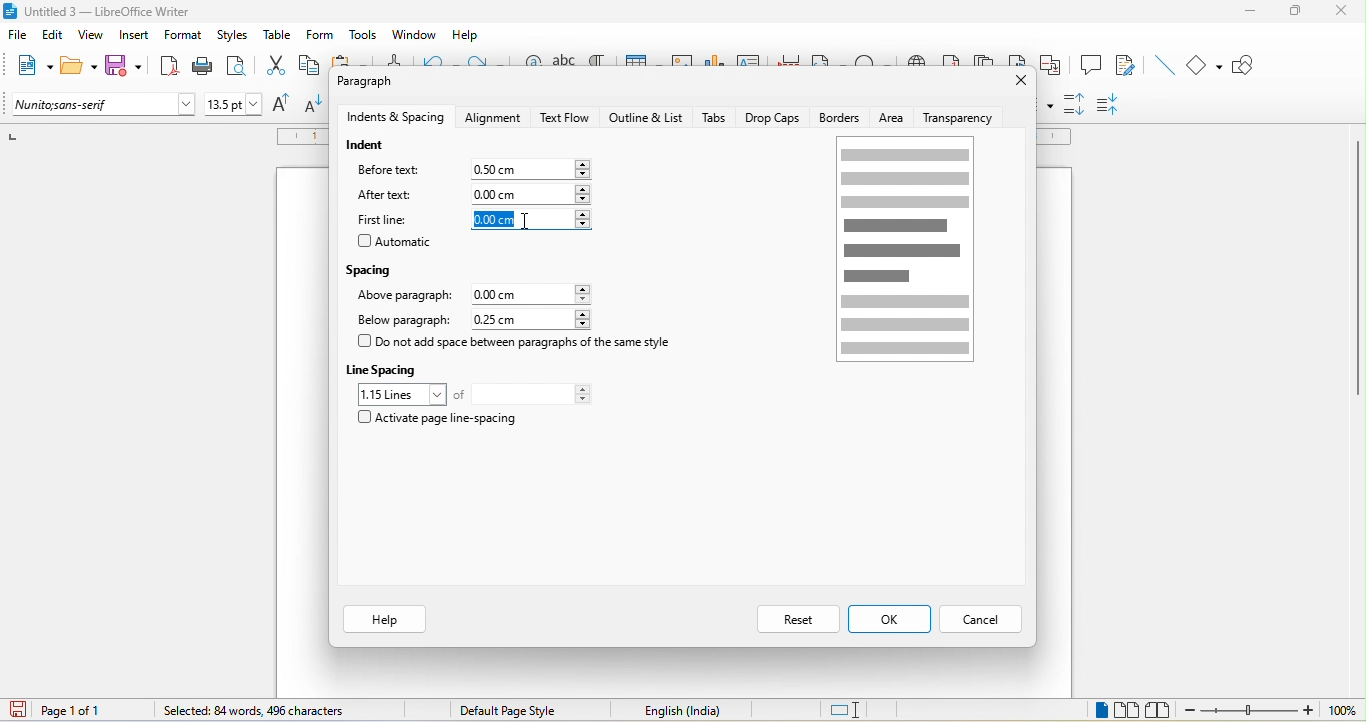 The image size is (1366, 722). Describe the element at coordinates (363, 341) in the screenshot. I see `checkbox` at that location.